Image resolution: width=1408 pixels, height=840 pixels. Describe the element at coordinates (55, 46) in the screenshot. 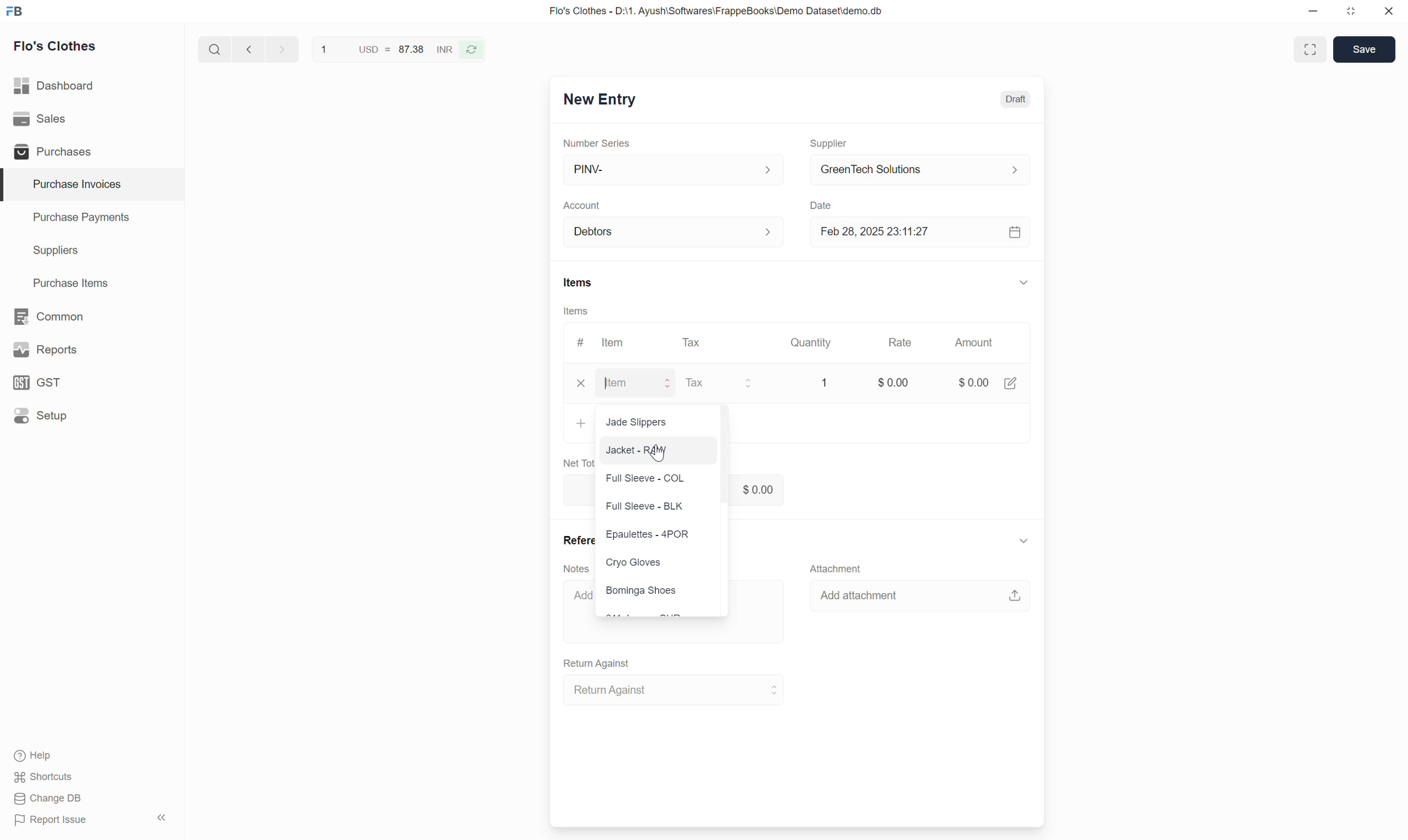

I see `Flo's Clothes` at that location.